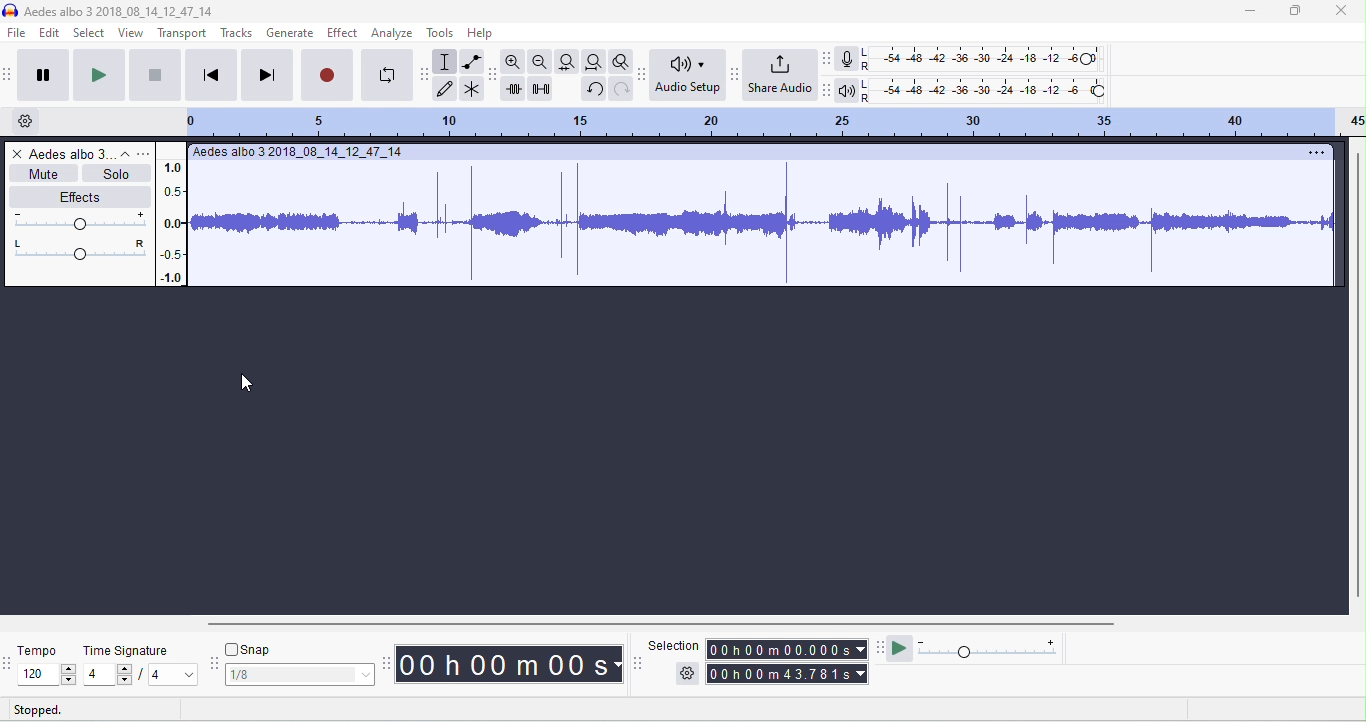  Describe the element at coordinates (541, 88) in the screenshot. I see `silence selection` at that location.